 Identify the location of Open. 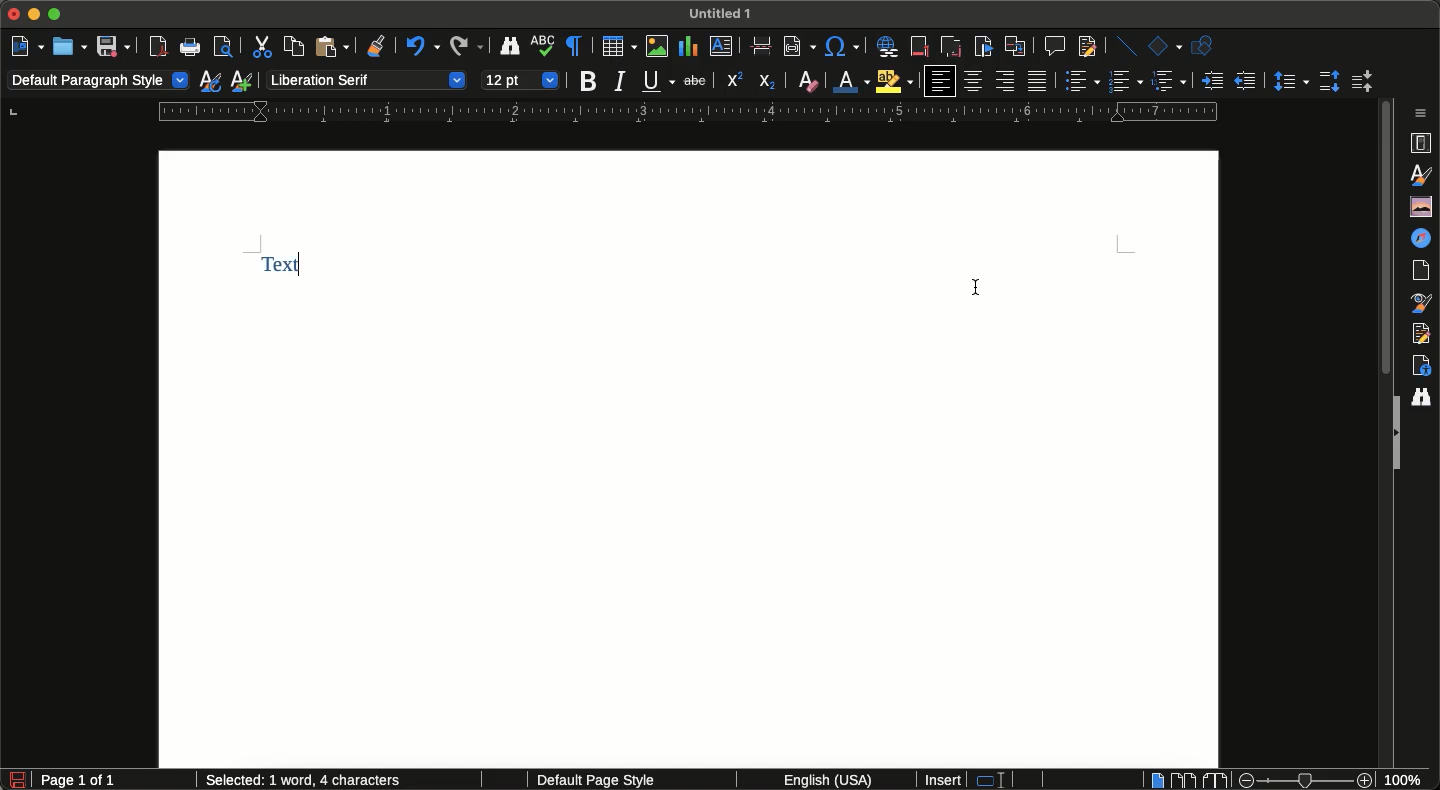
(69, 46).